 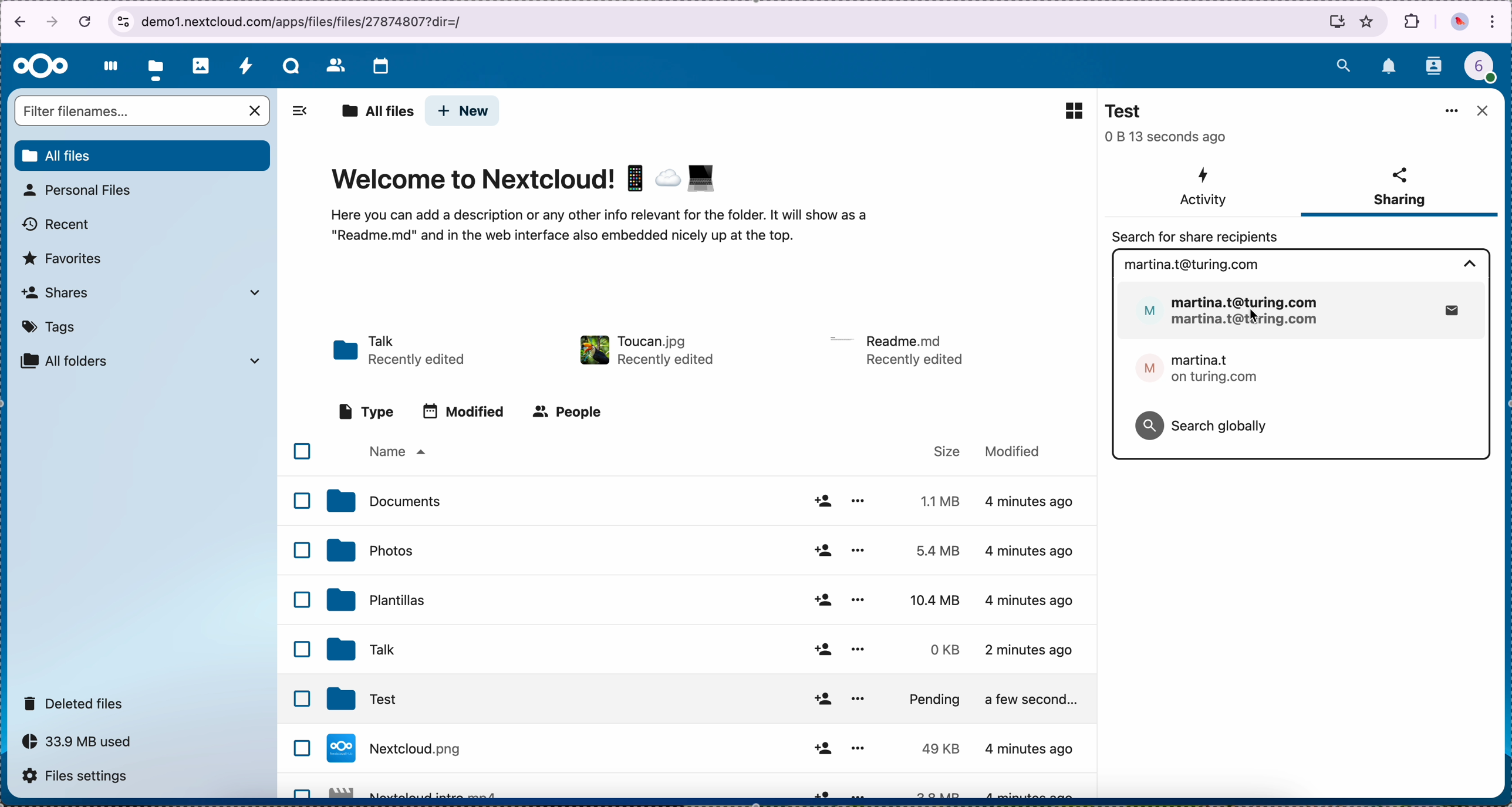 I want to click on Test folder, so click(x=713, y=700).